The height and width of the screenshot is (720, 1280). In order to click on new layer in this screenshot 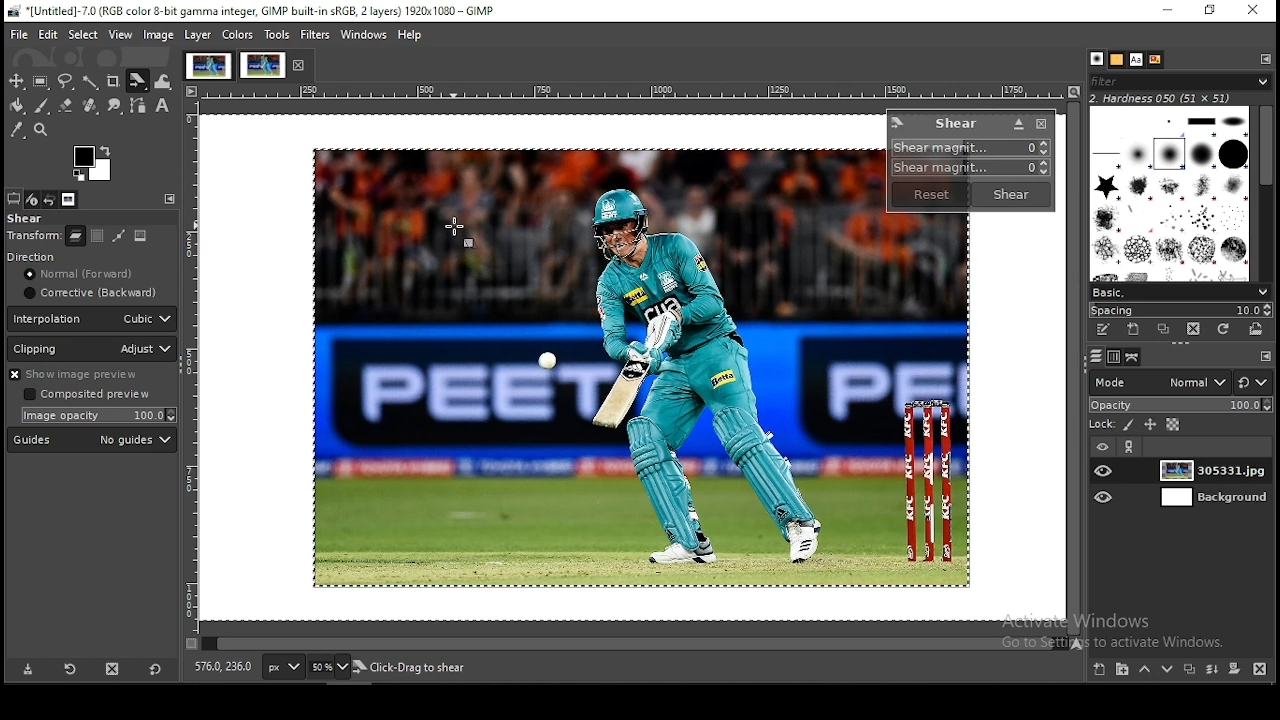, I will do `click(1099, 670)`.